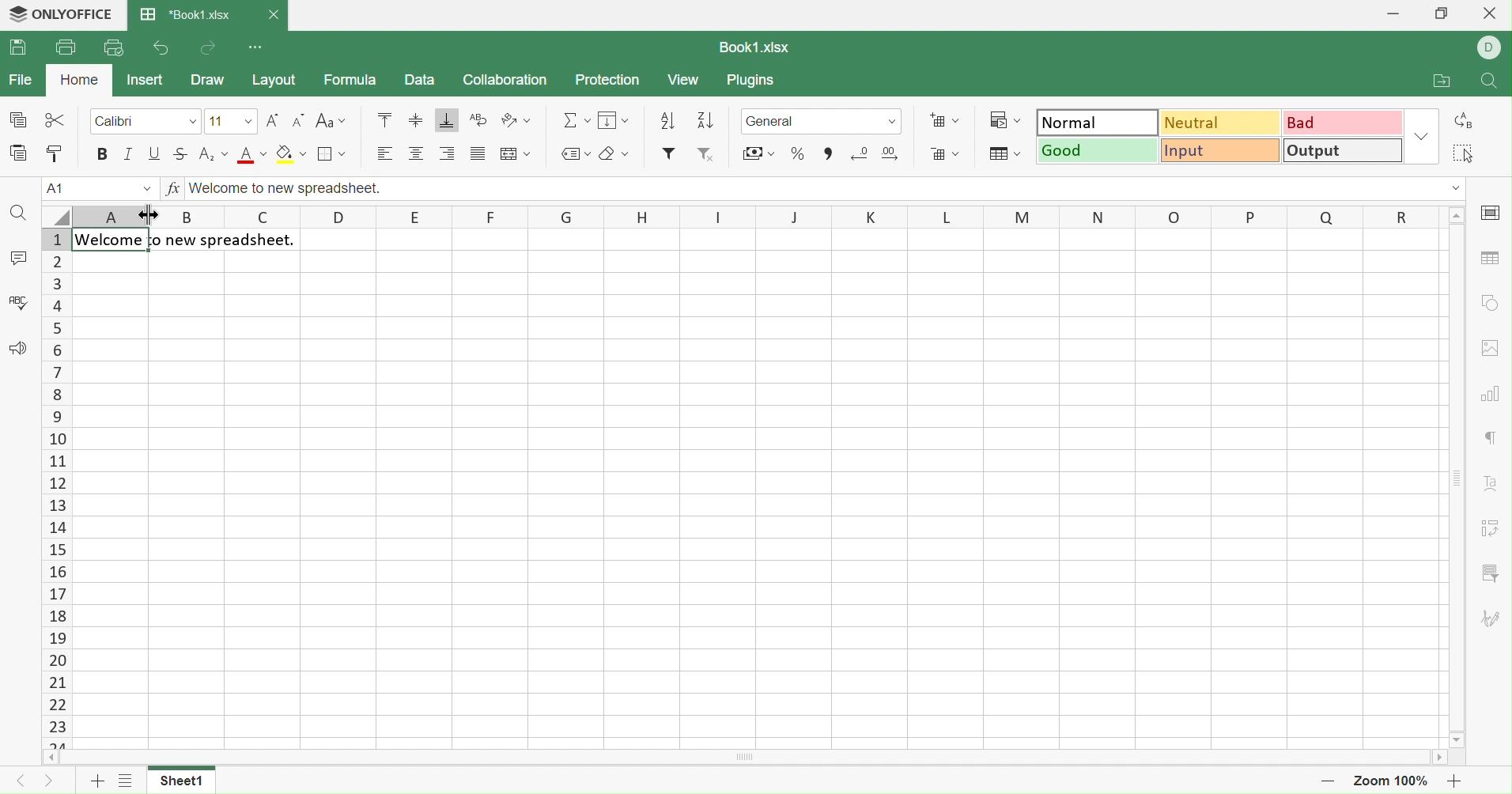  Describe the element at coordinates (1453, 189) in the screenshot. I see `Drop Down` at that location.